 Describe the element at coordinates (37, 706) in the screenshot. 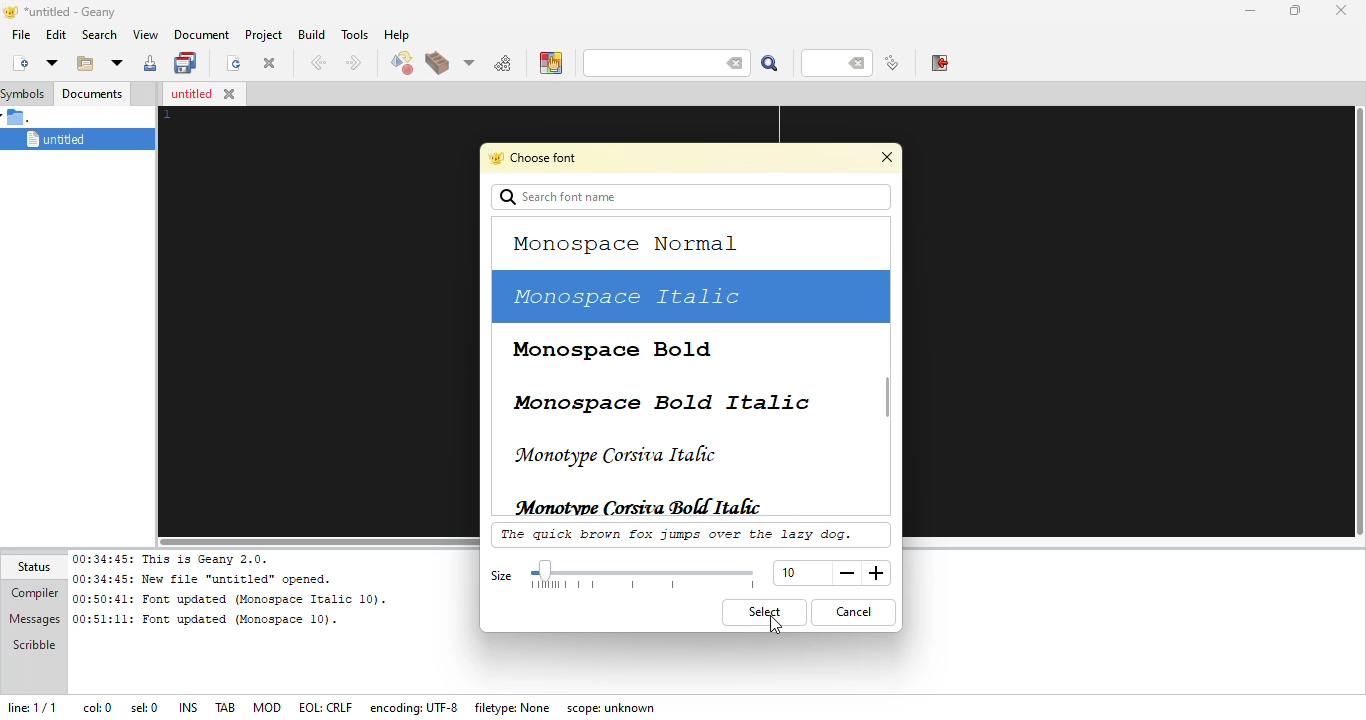

I see `line: 1/1` at that location.